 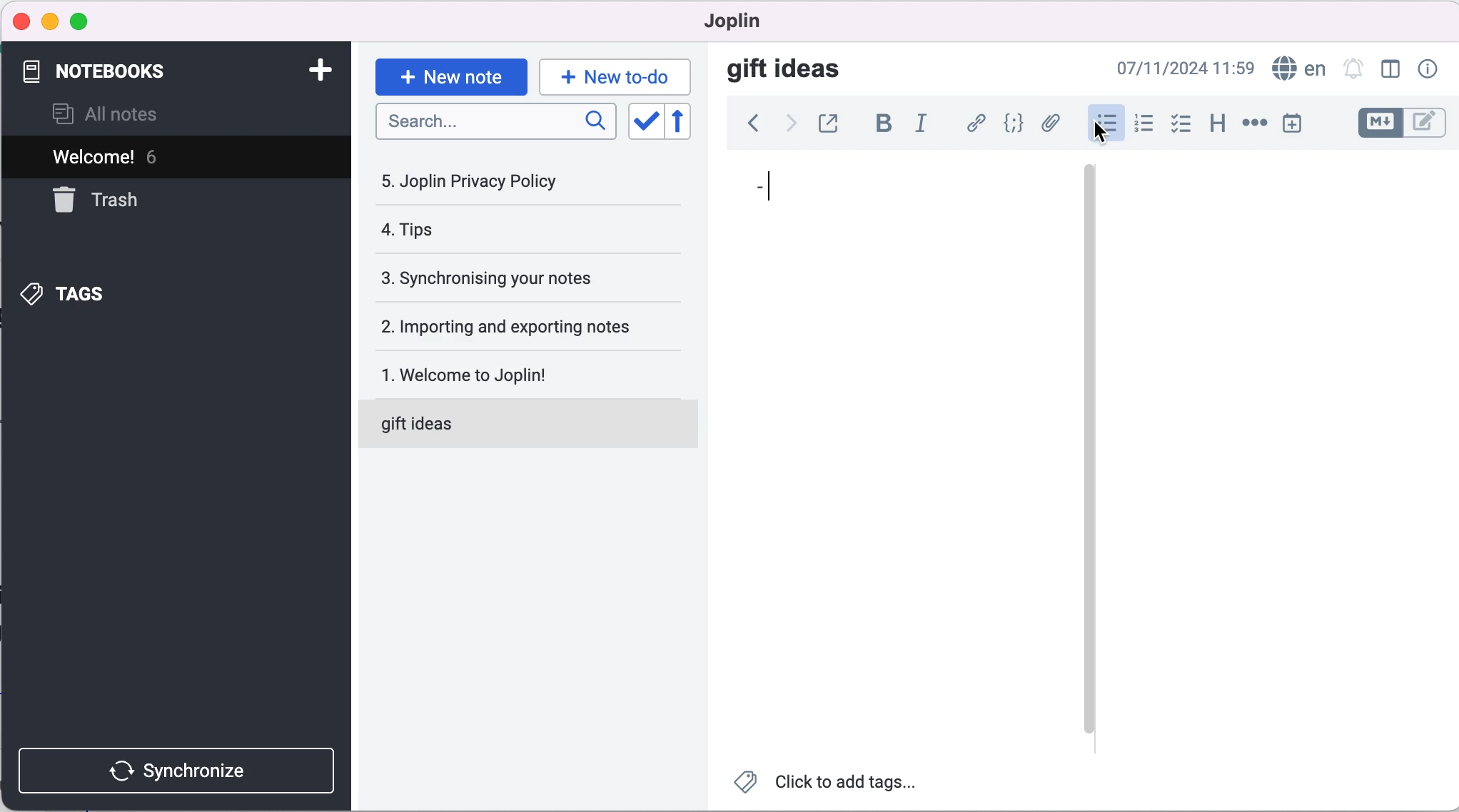 I want to click on language, so click(x=1298, y=69).